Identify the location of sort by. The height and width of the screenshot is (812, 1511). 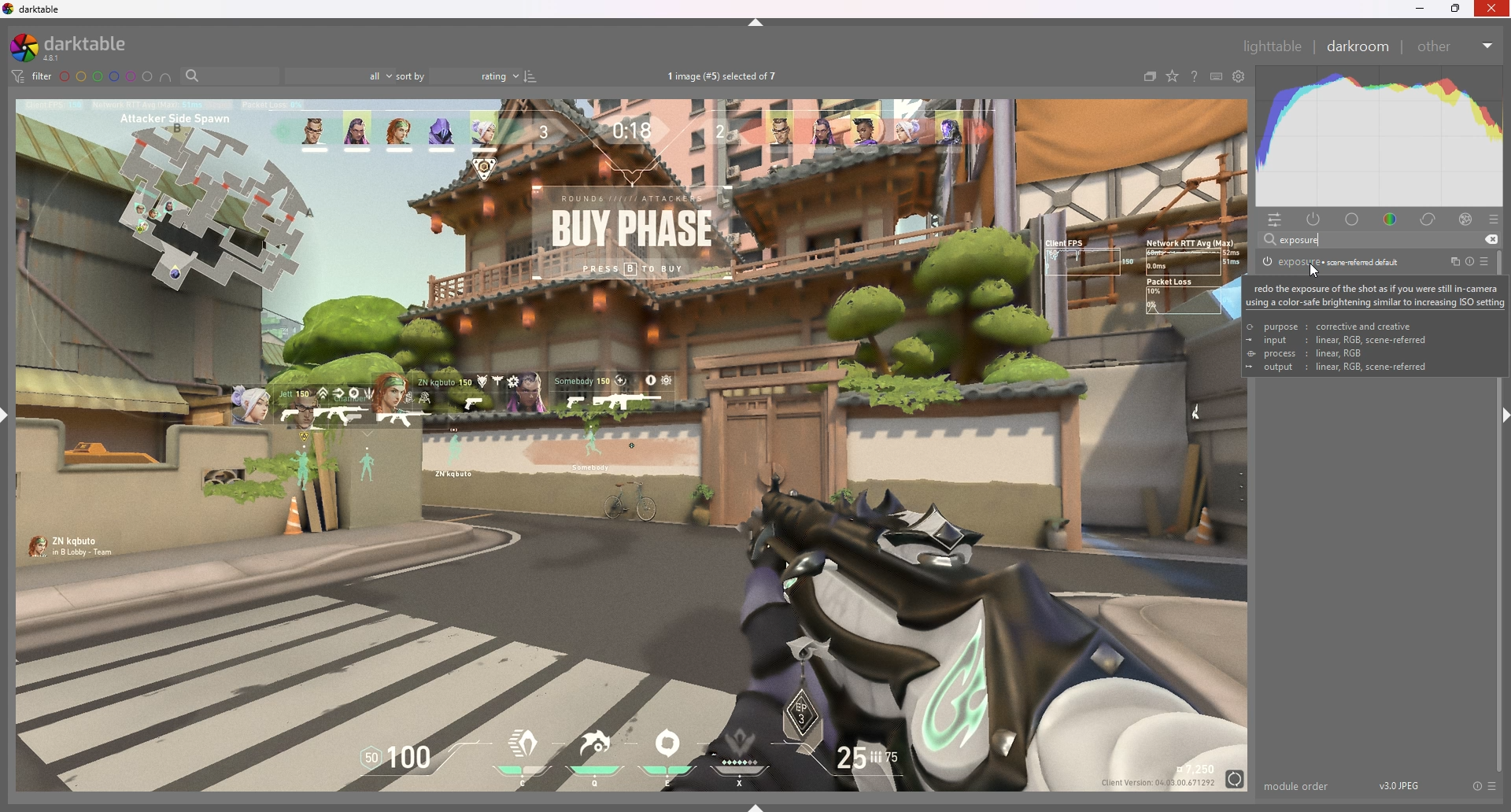
(459, 76).